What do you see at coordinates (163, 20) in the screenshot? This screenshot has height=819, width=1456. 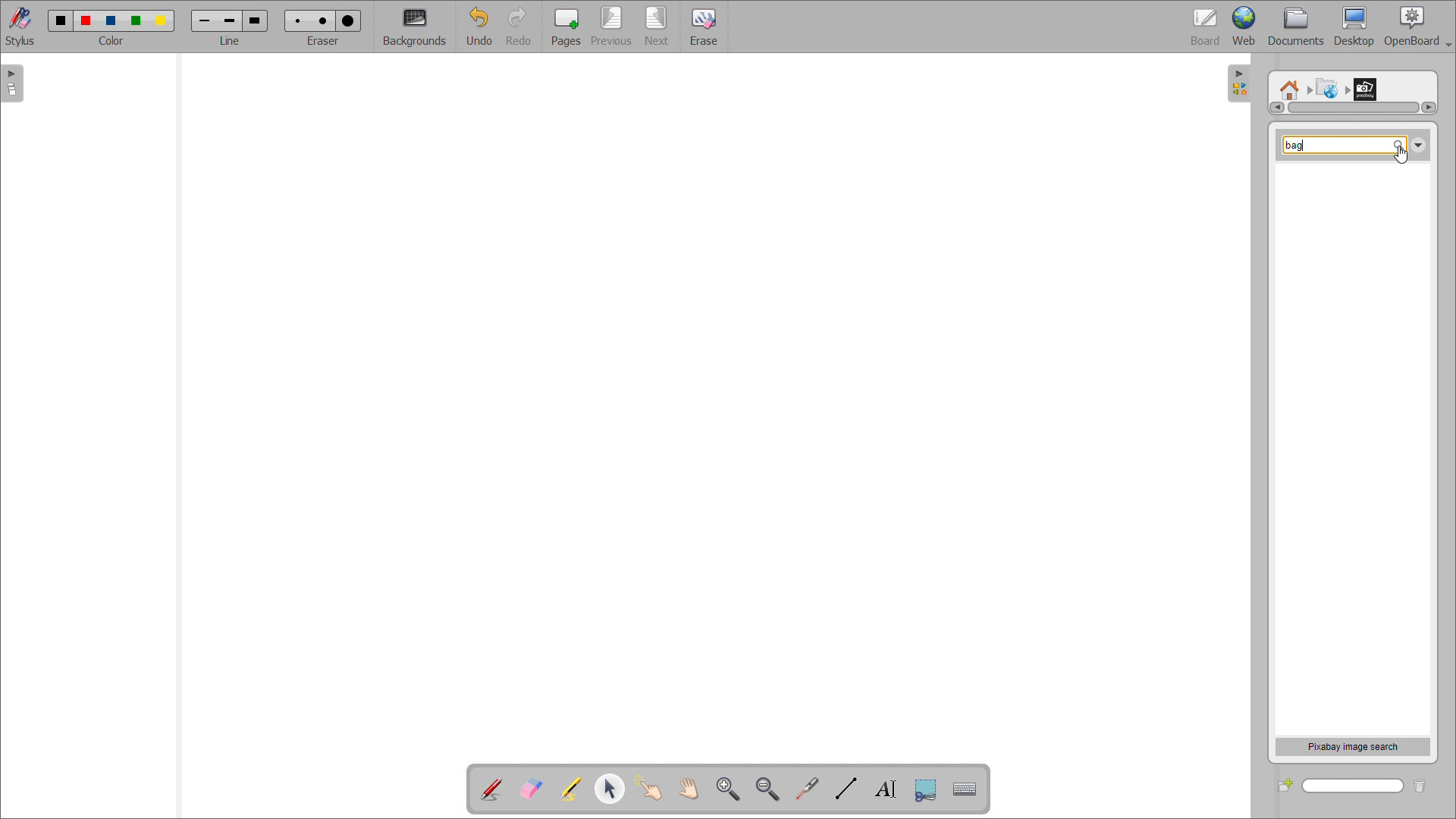 I see `Color 5` at bounding box center [163, 20].